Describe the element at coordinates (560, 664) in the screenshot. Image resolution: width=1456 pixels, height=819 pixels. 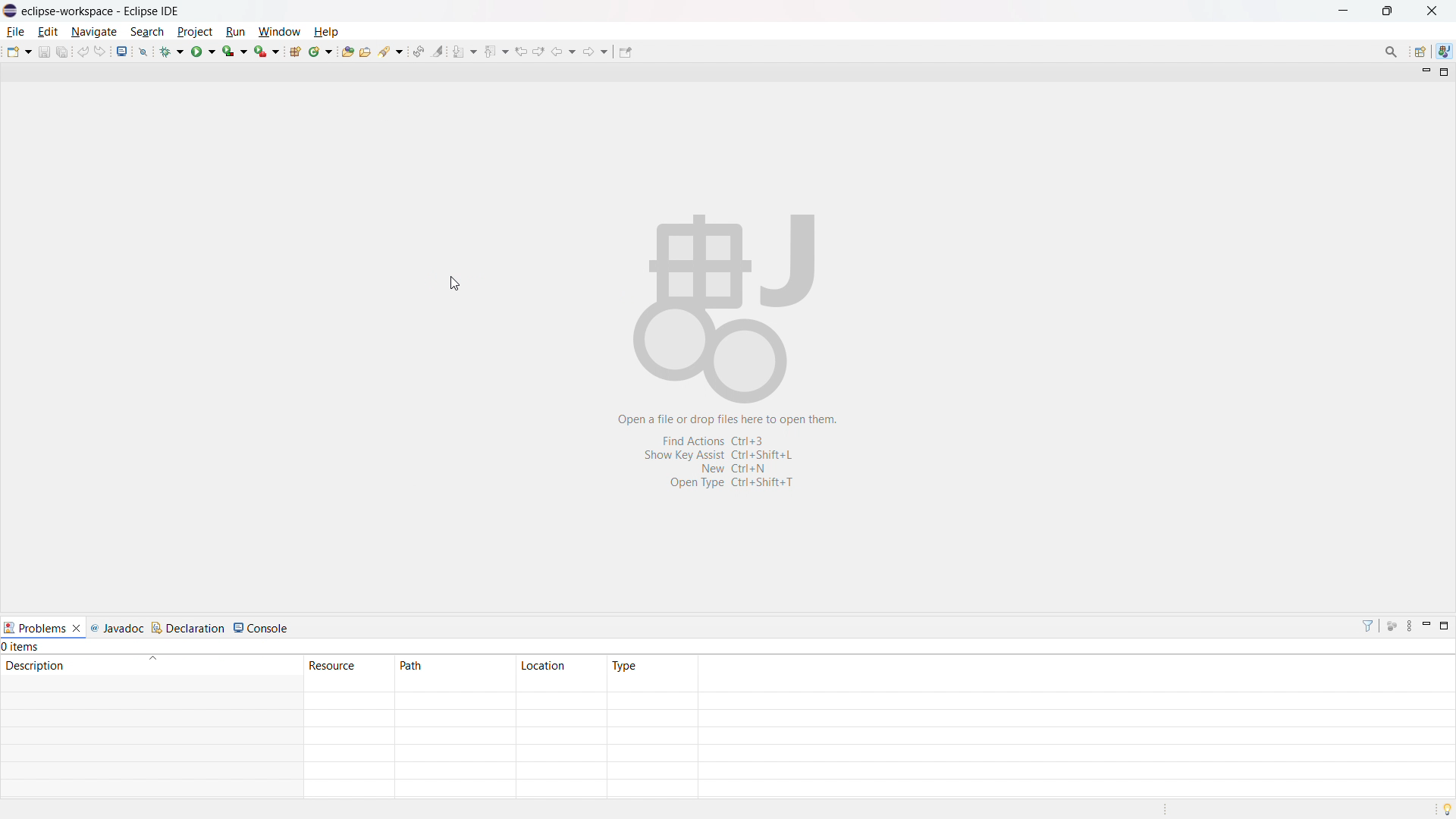
I see `location` at that location.